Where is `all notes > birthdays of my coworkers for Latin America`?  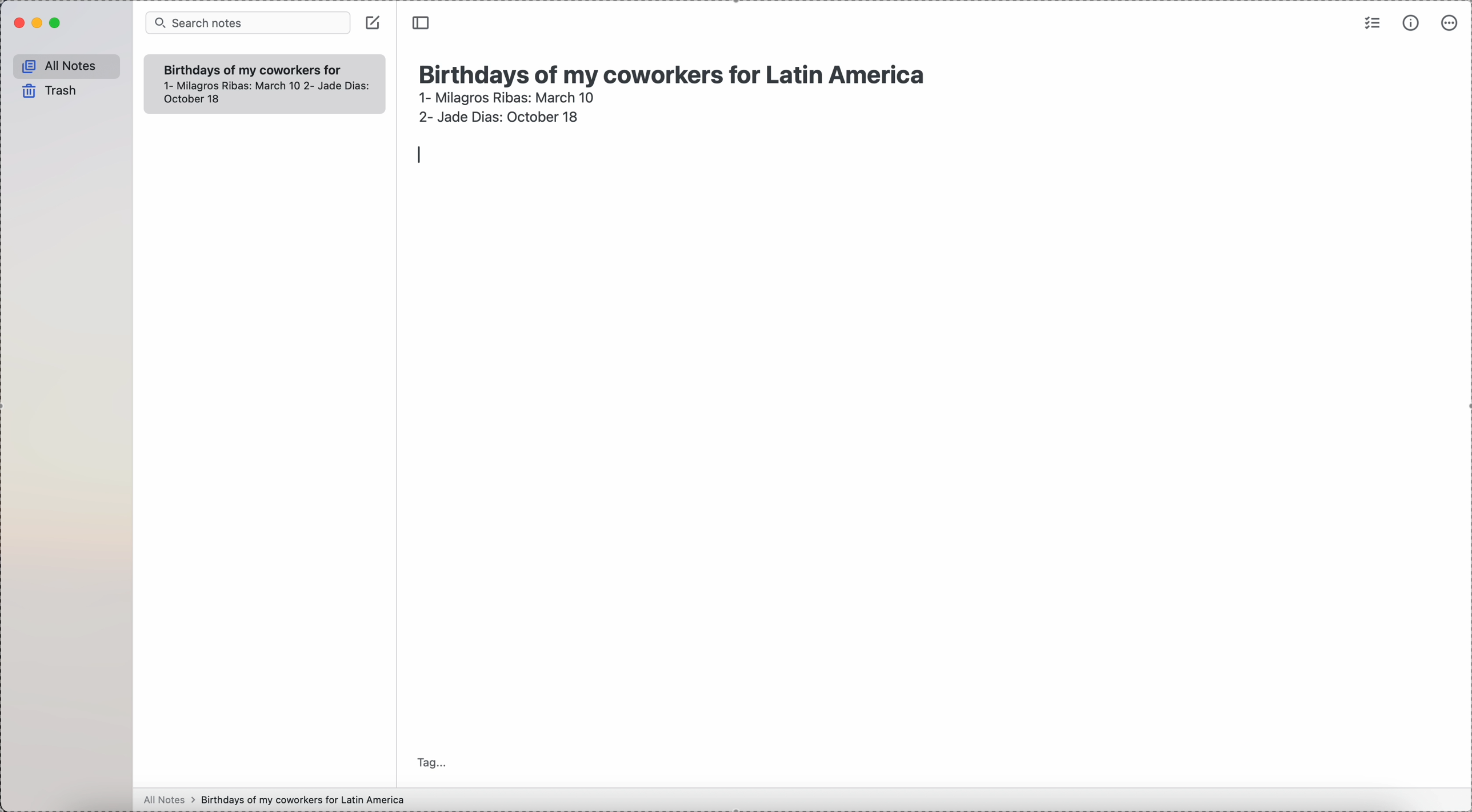 all notes > birthdays of my coworkers for Latin America is located at coordinates (277, 799).